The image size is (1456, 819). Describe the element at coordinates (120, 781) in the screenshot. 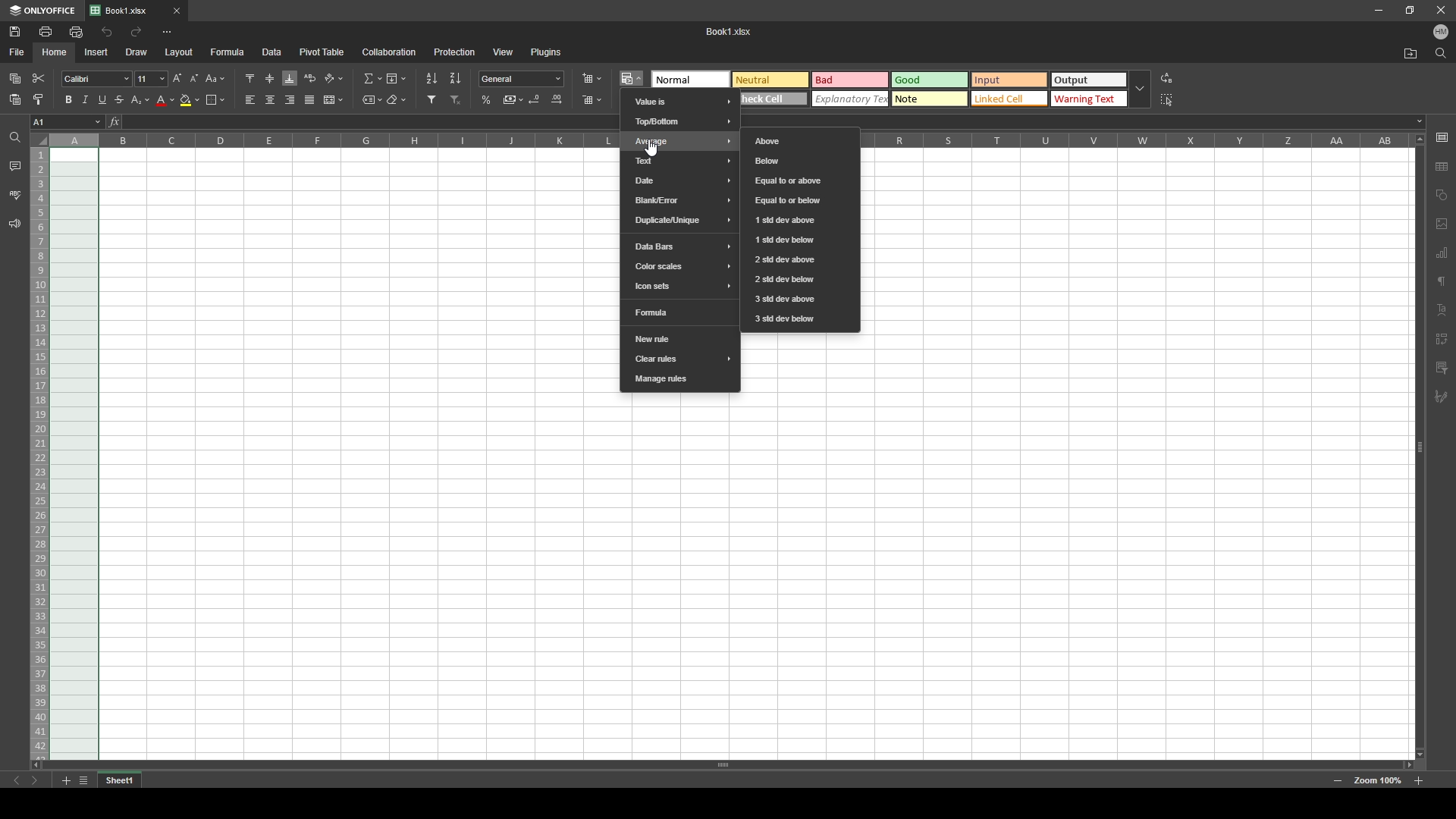

I see `tab` at that location.